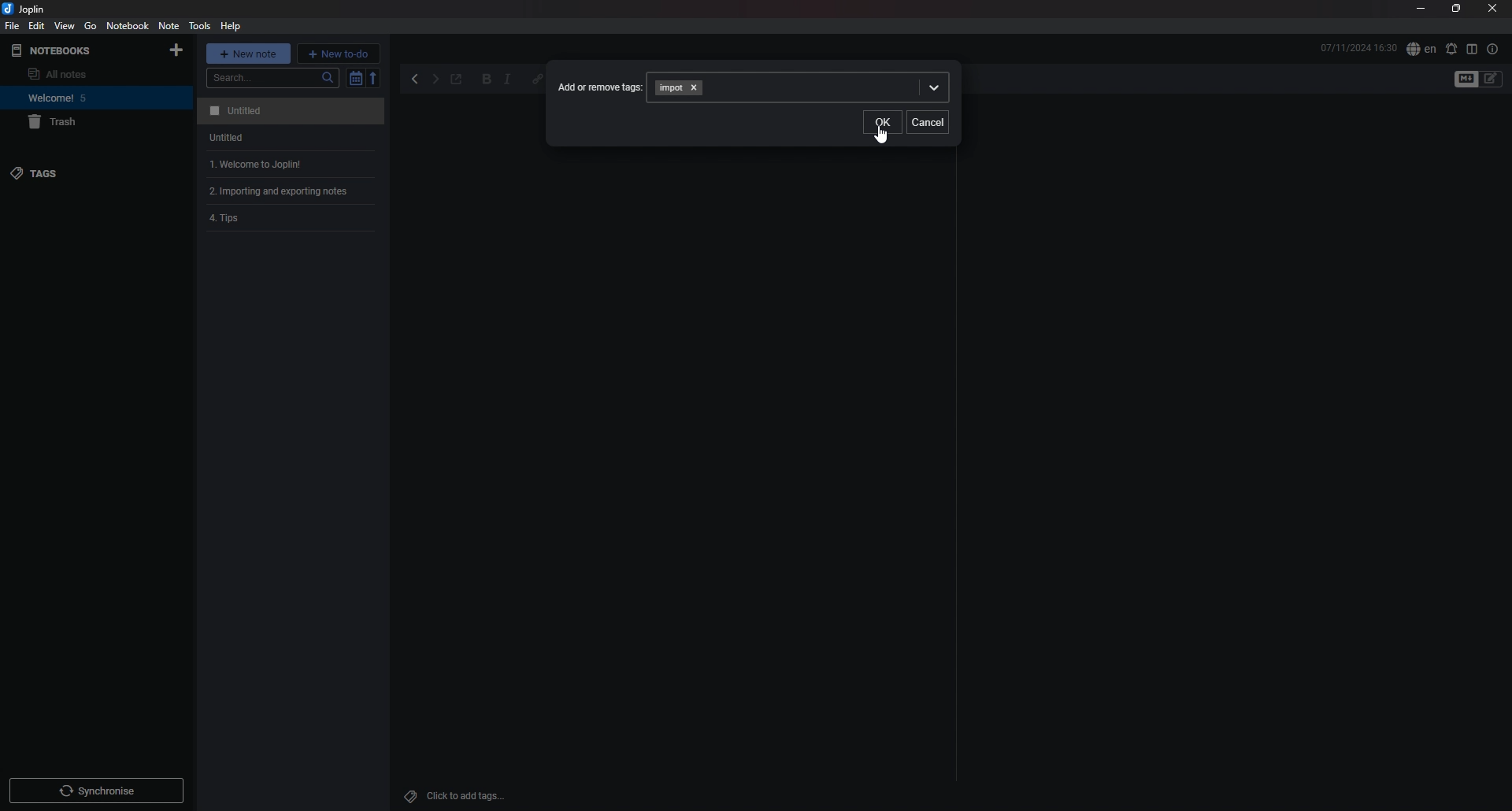 This screenshot has width=1512, height=811. I want to click on view, so click(65, 26).